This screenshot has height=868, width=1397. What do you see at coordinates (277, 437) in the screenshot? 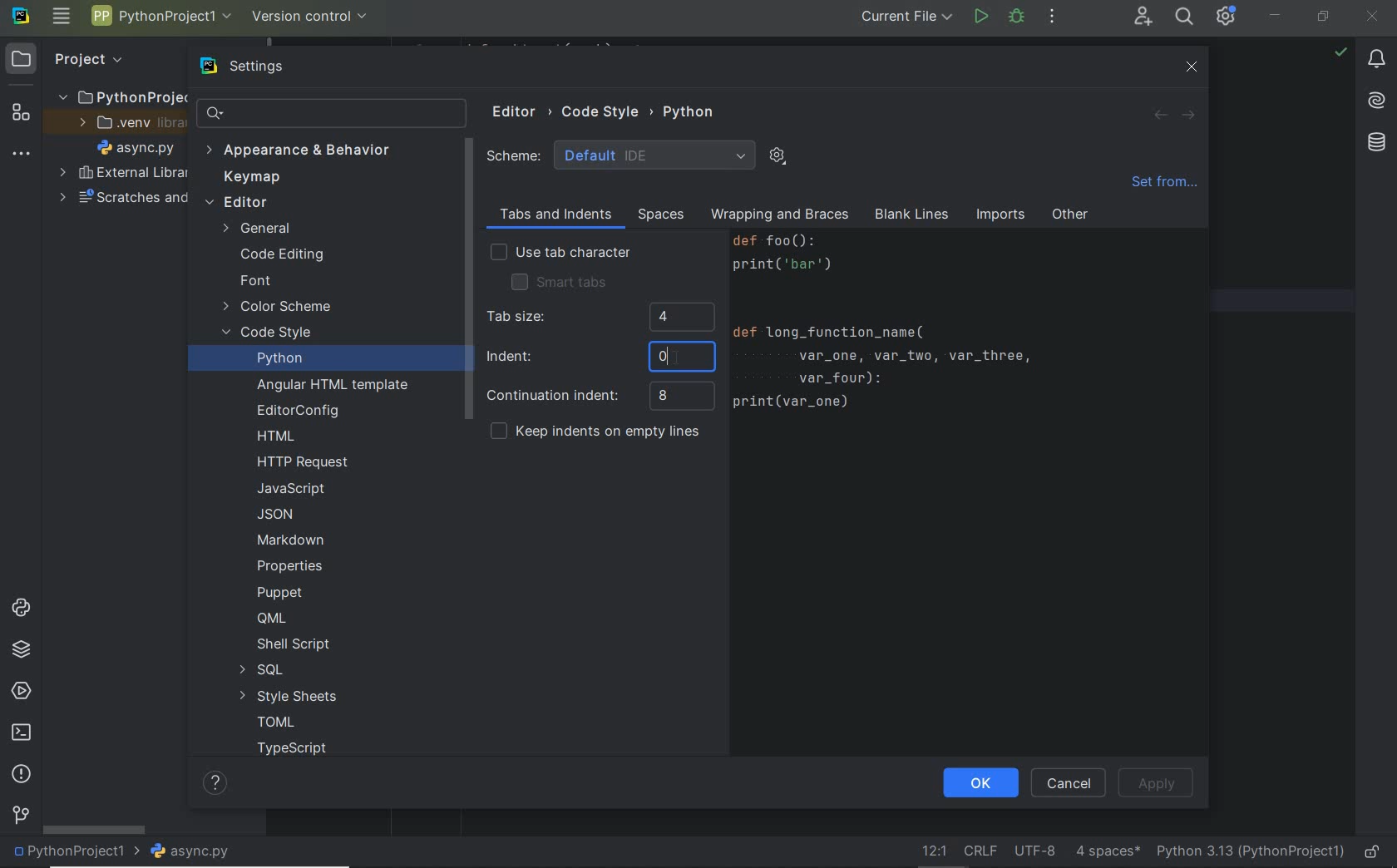
I see `HTML` at bounding box center [277, 437].